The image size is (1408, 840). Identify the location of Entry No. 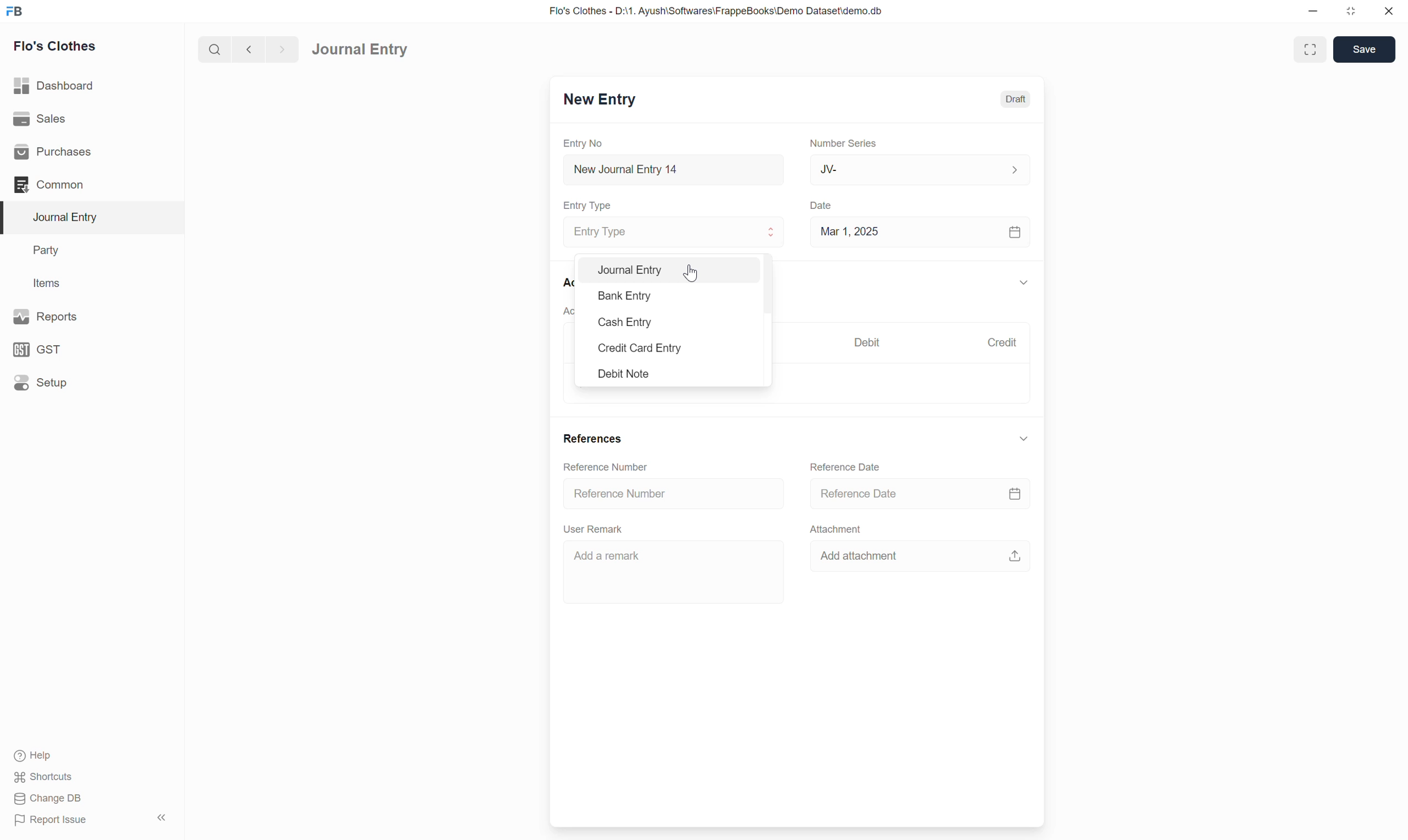
(585, 143).